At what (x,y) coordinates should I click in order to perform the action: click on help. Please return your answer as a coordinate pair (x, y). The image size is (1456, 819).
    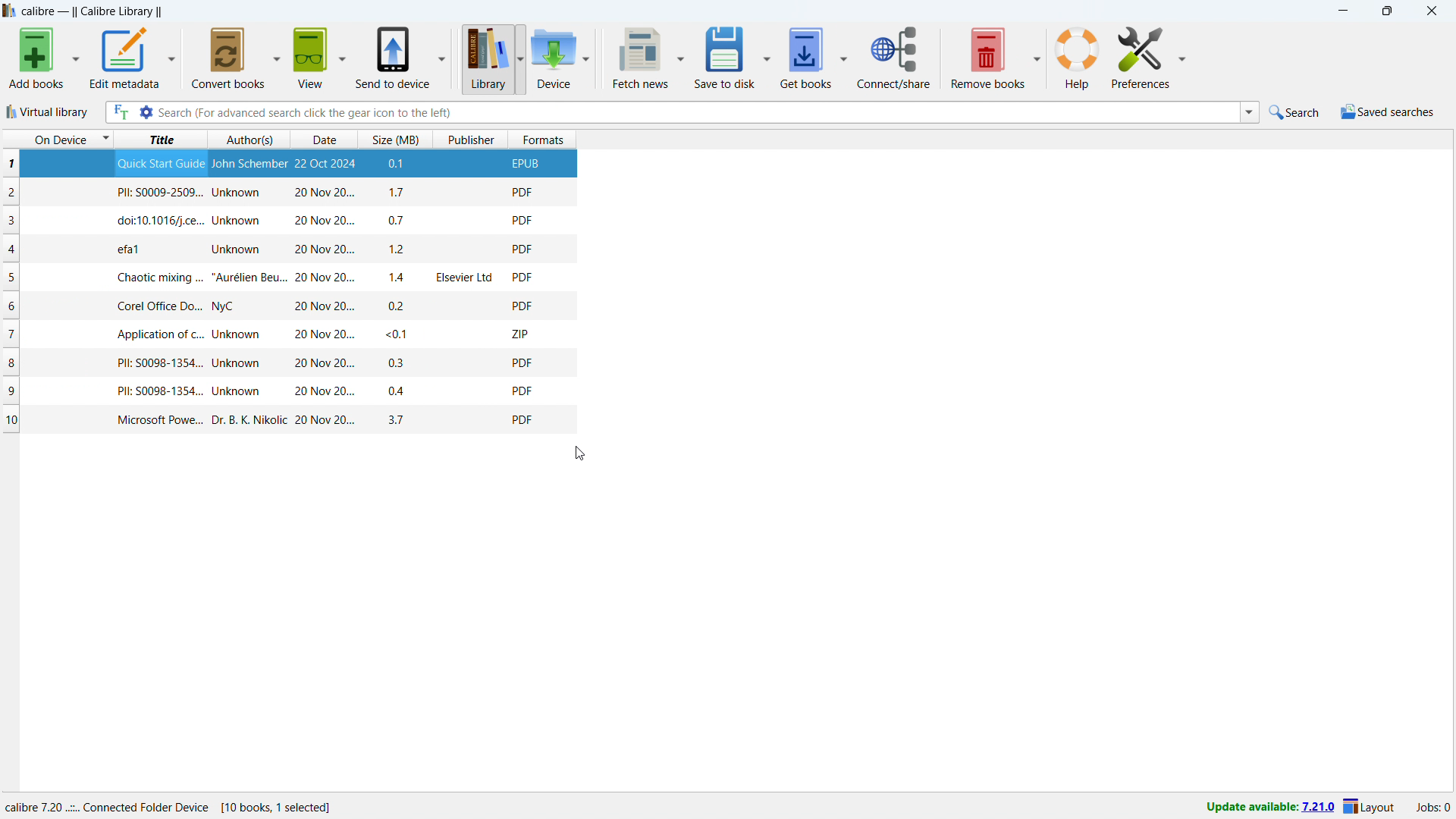
    Looking at the image, I should click on (1078, 58).